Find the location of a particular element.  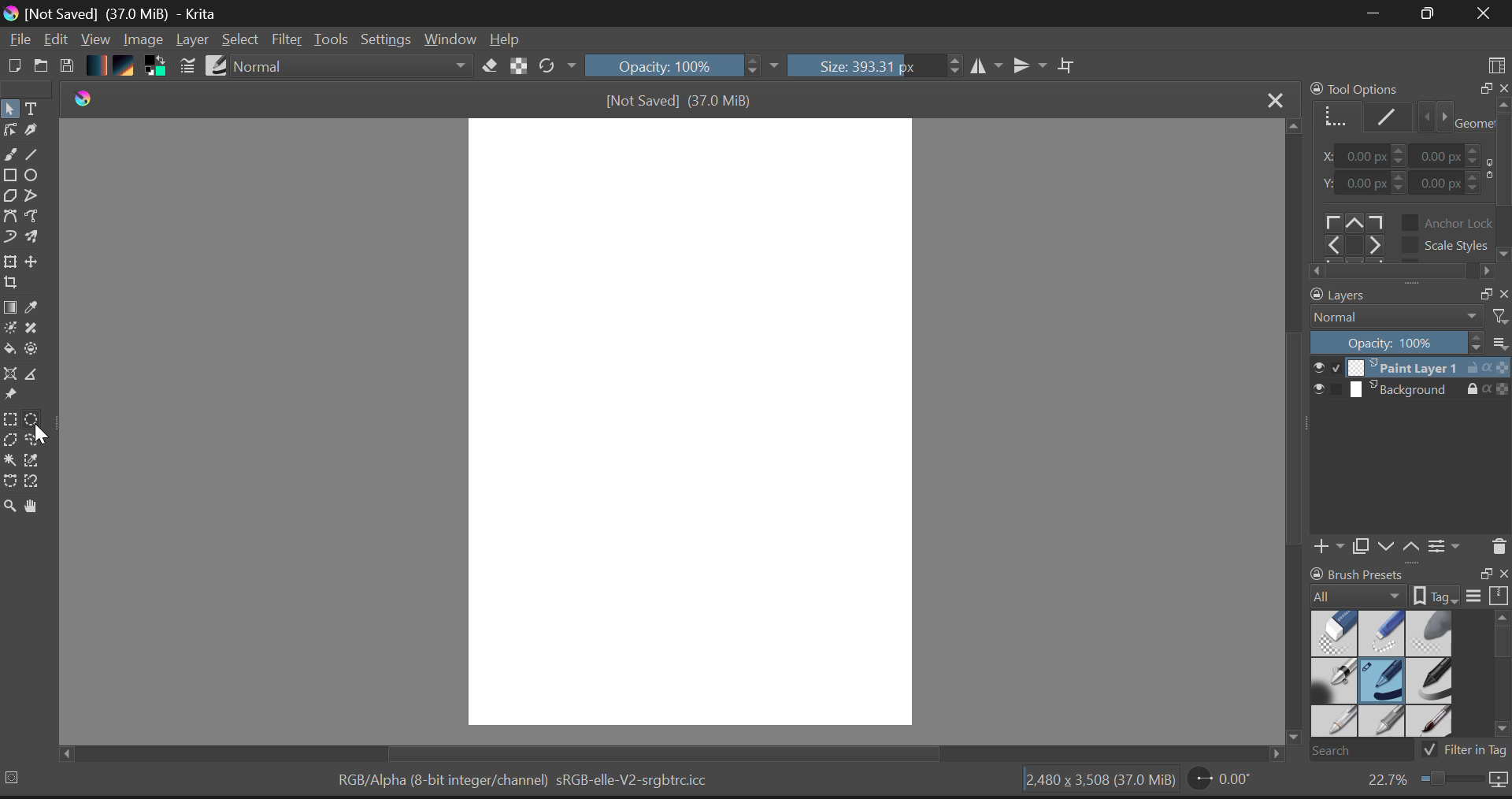

Image is located at coordinates (143, 39).